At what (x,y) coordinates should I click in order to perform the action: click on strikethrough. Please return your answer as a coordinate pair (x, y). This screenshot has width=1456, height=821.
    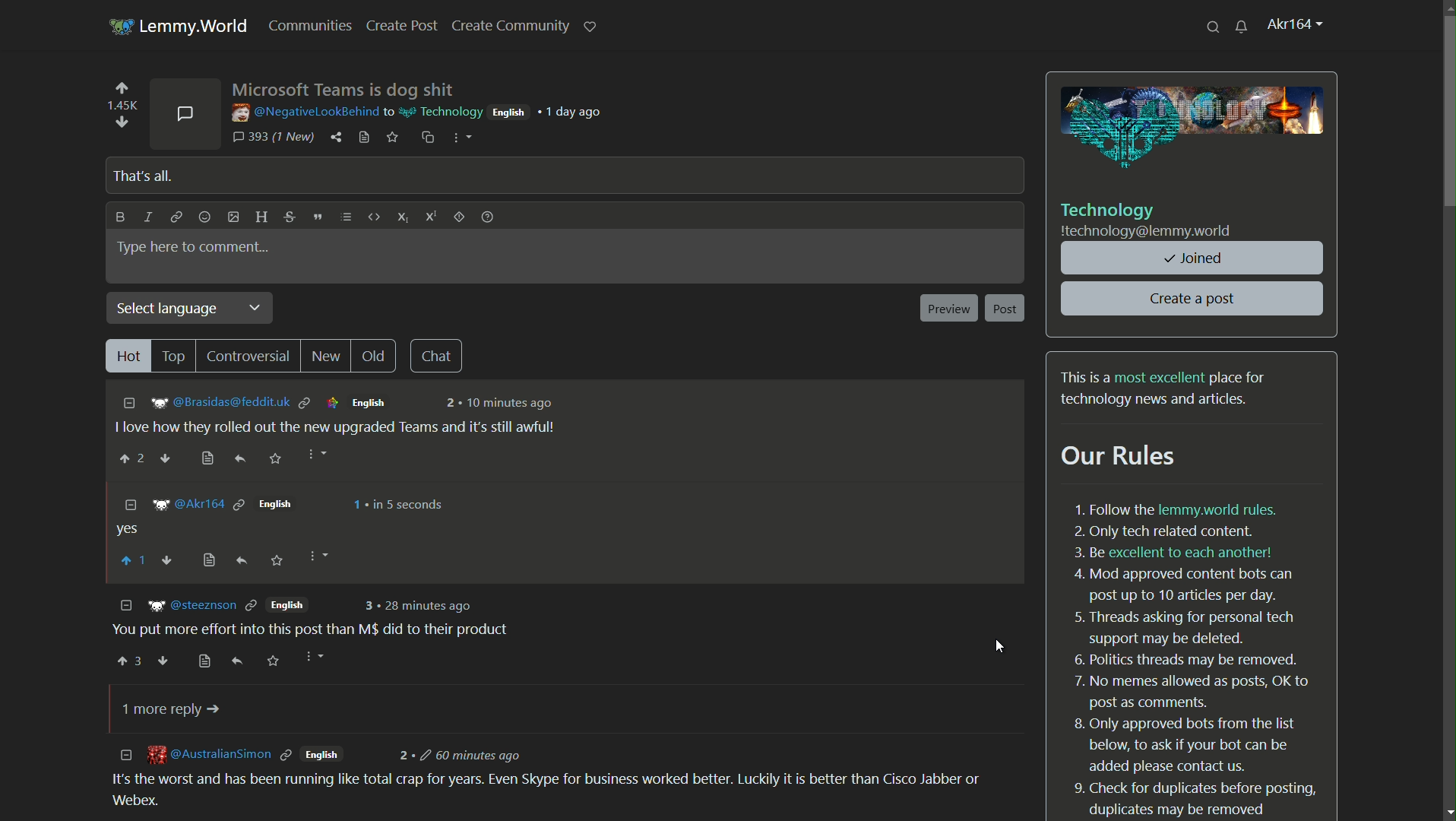
    Looking at the image, I should click on (289, 217).